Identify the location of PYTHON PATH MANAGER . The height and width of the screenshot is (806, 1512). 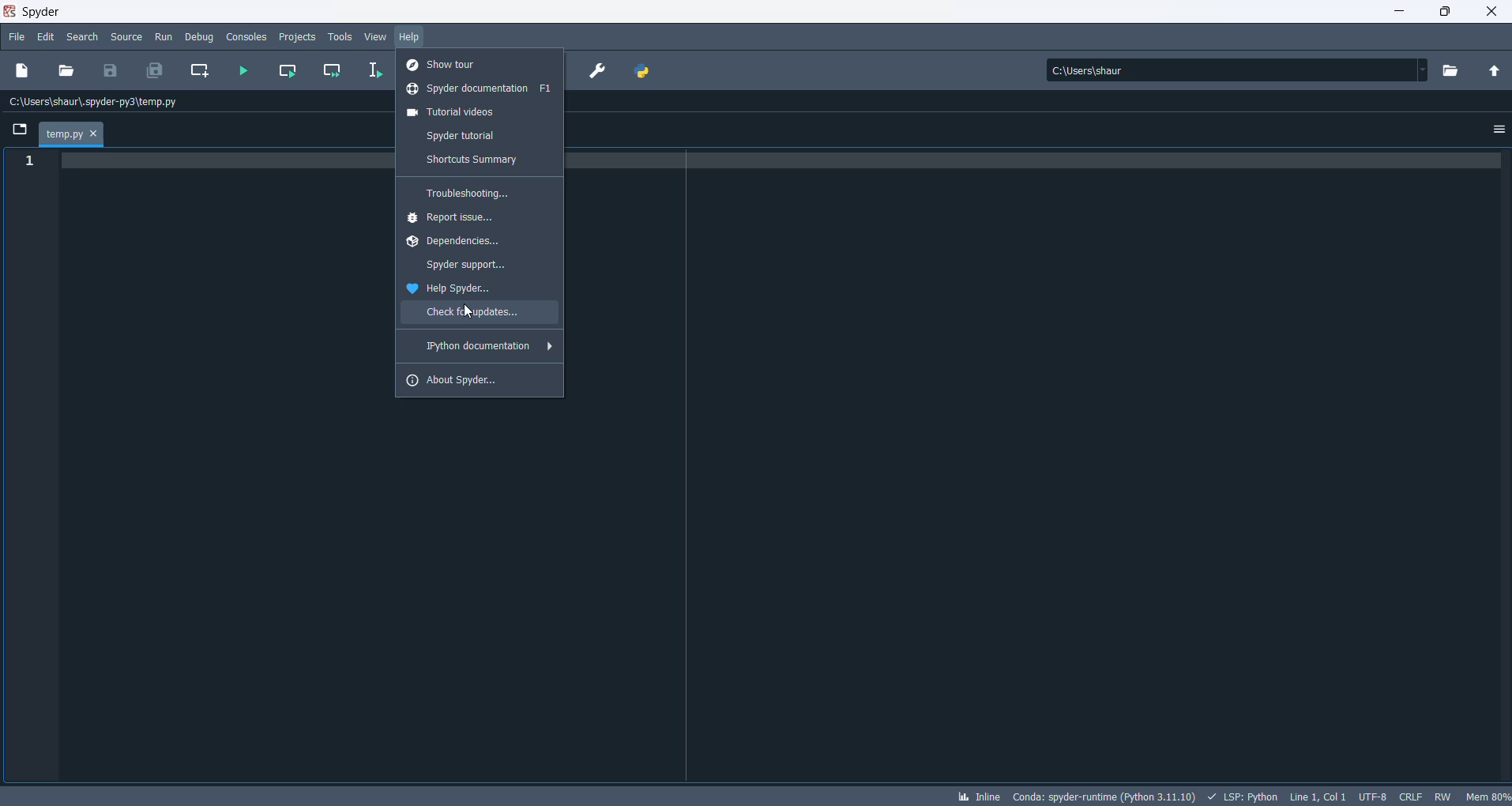
(644, 71).